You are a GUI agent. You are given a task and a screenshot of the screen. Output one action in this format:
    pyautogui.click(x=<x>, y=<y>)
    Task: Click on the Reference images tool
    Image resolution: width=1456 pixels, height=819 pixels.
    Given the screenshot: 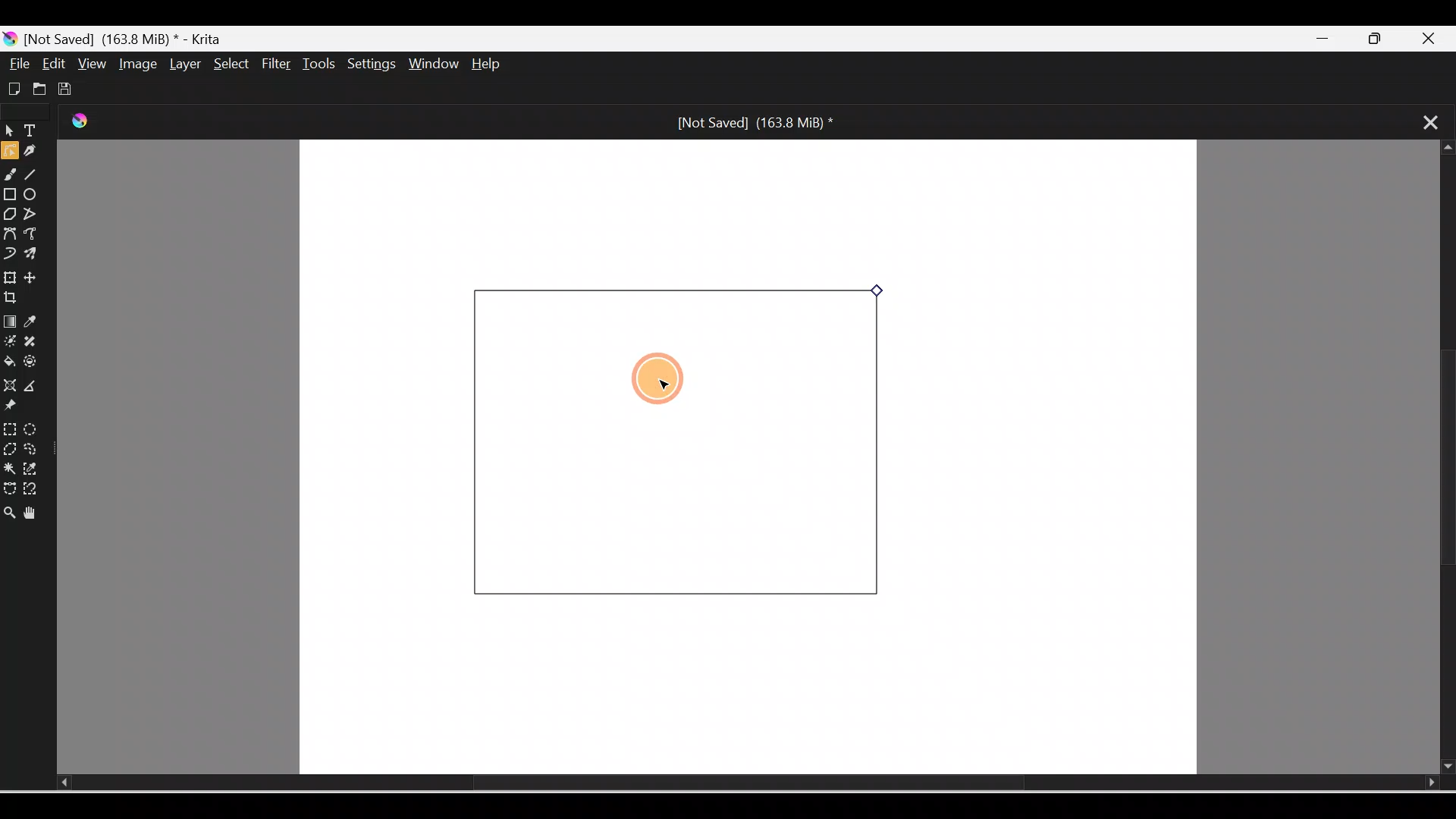 What is the action you would take?
    pyautogui.click(x=19, y=408)
    